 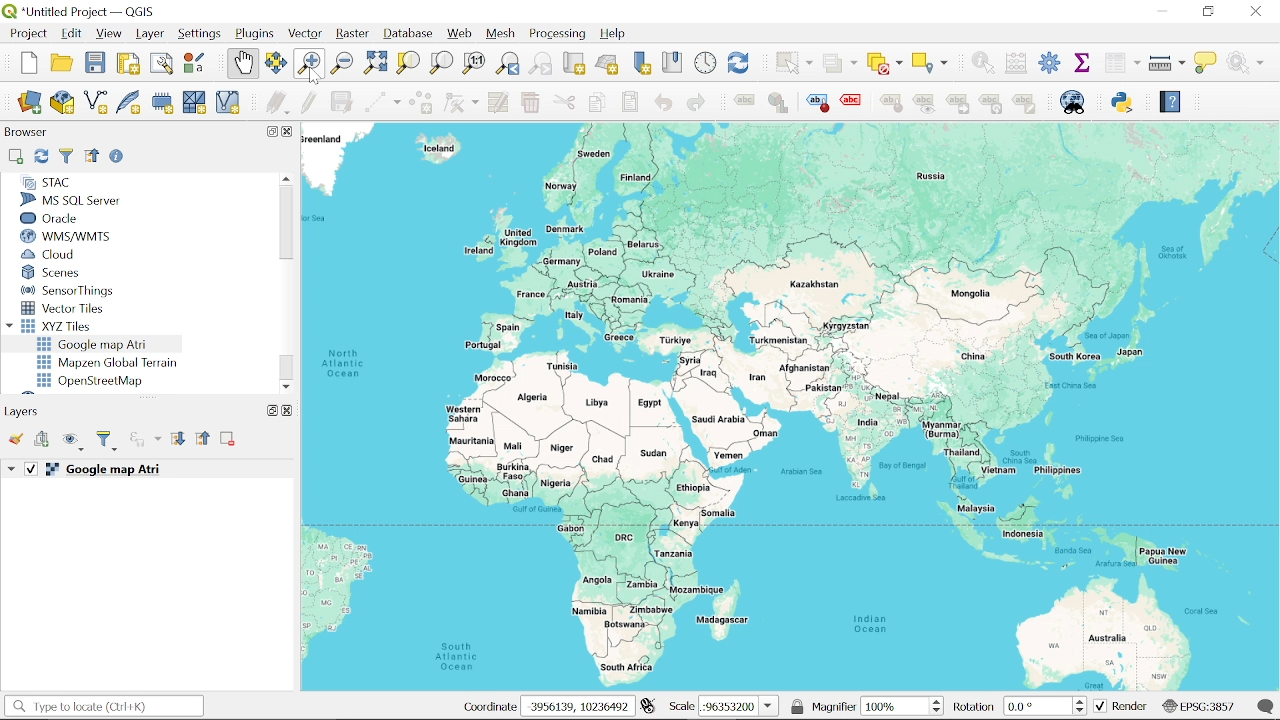 I want to click on Select features by value, so click(x=840, y=64).